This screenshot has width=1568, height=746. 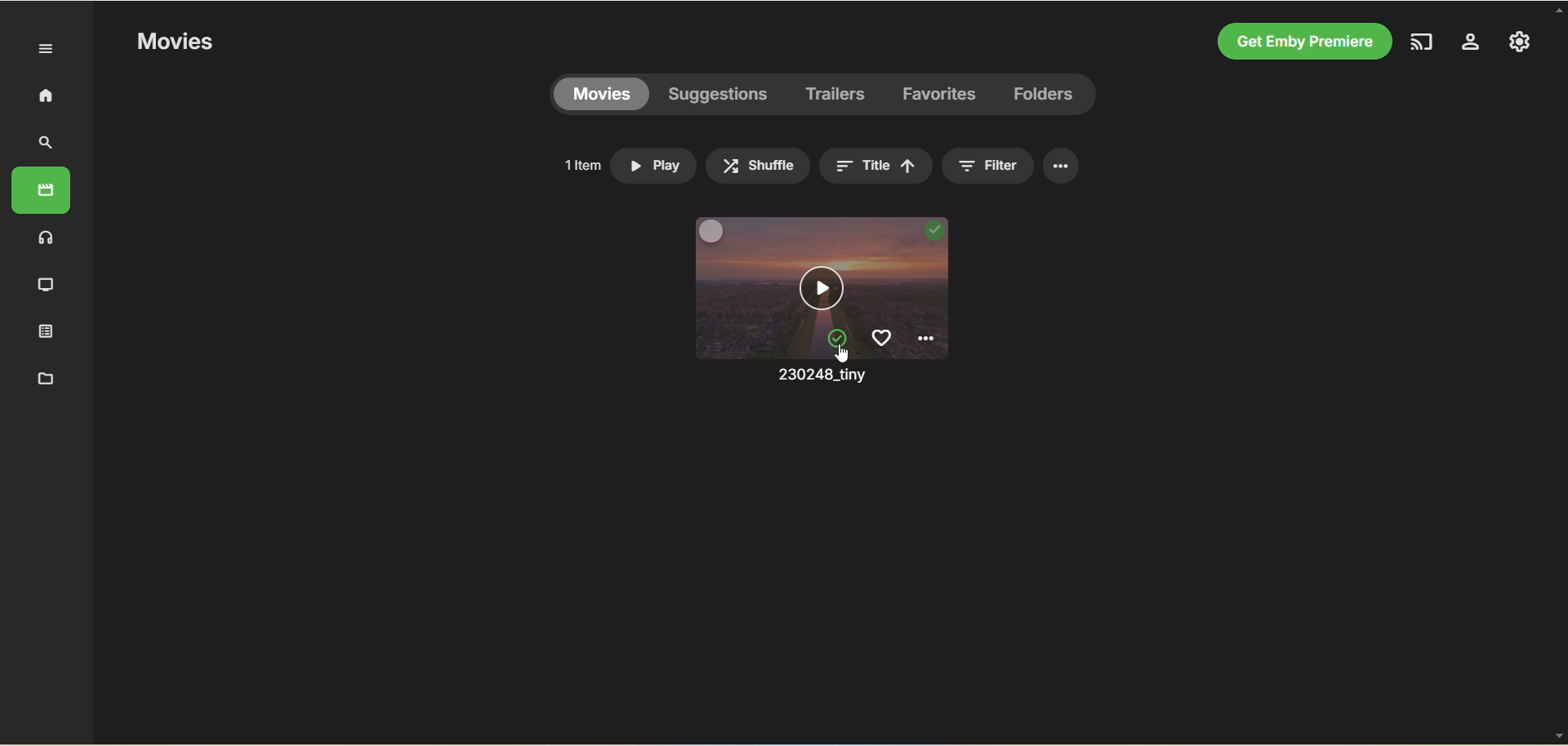 I want to click on options, so click(x=930, y=340).